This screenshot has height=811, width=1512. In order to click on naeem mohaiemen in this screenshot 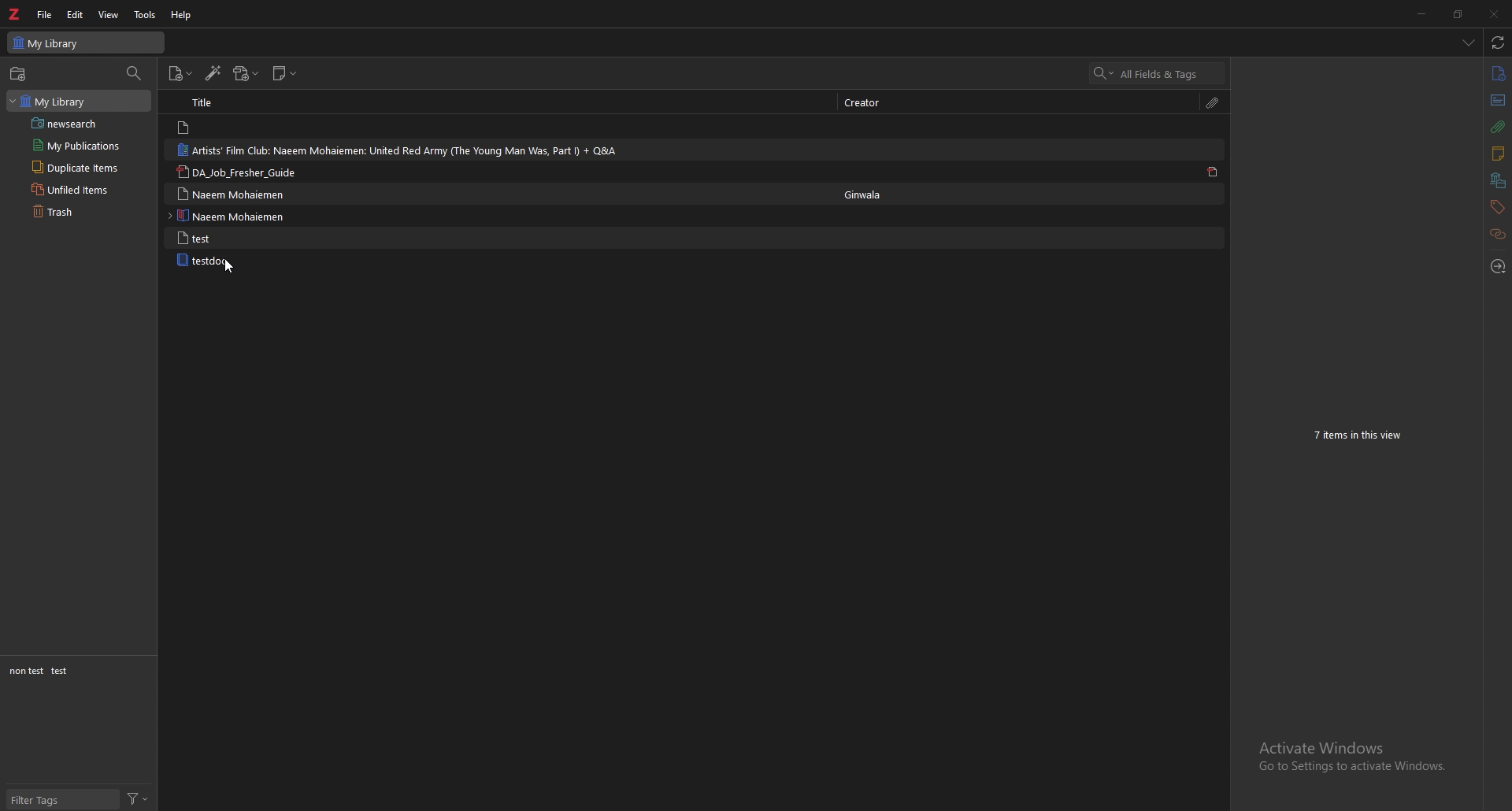, I will do `click(235, 194)`.